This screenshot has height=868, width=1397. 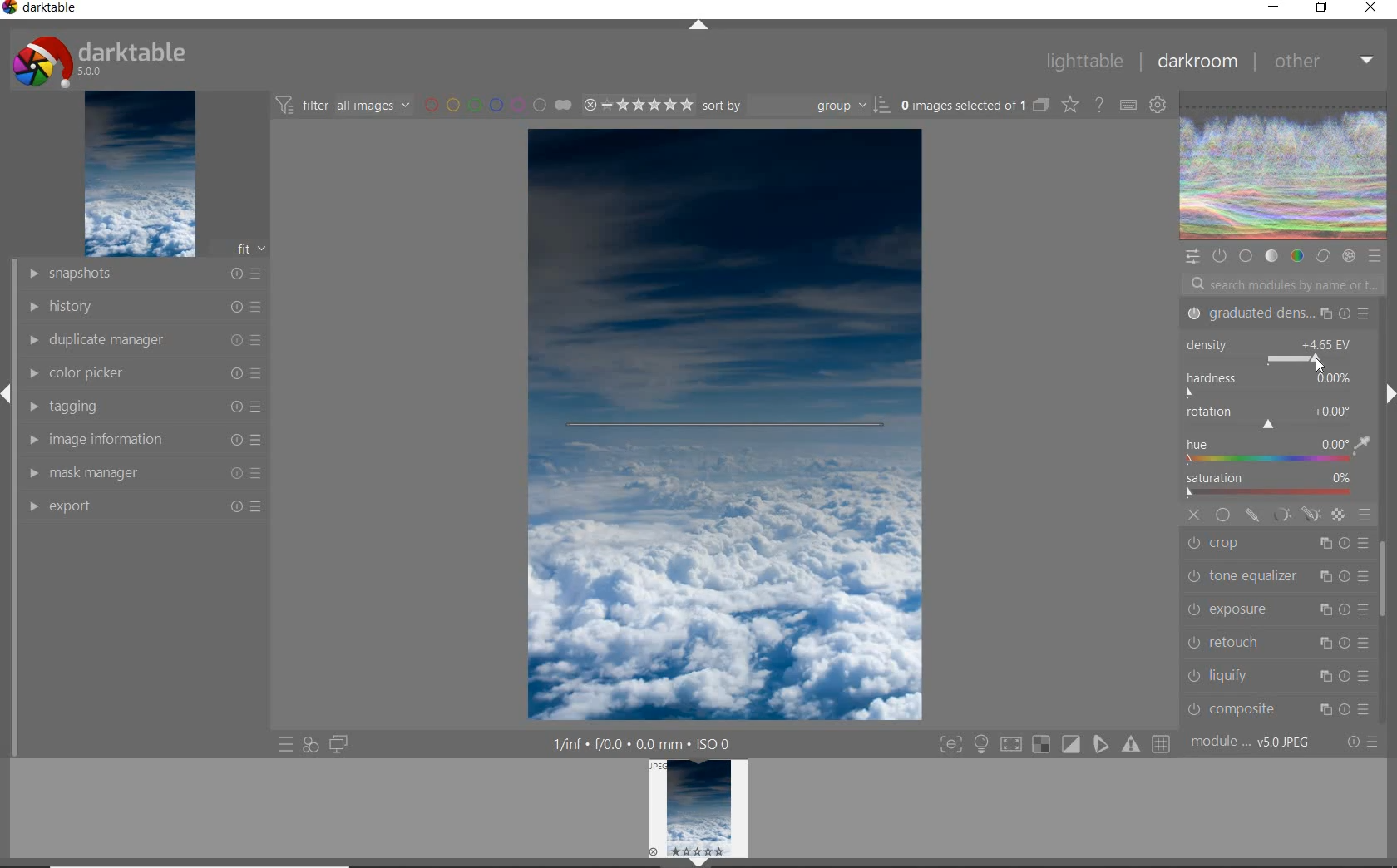 I want to click on sort by group, so click(x=794, y=106).